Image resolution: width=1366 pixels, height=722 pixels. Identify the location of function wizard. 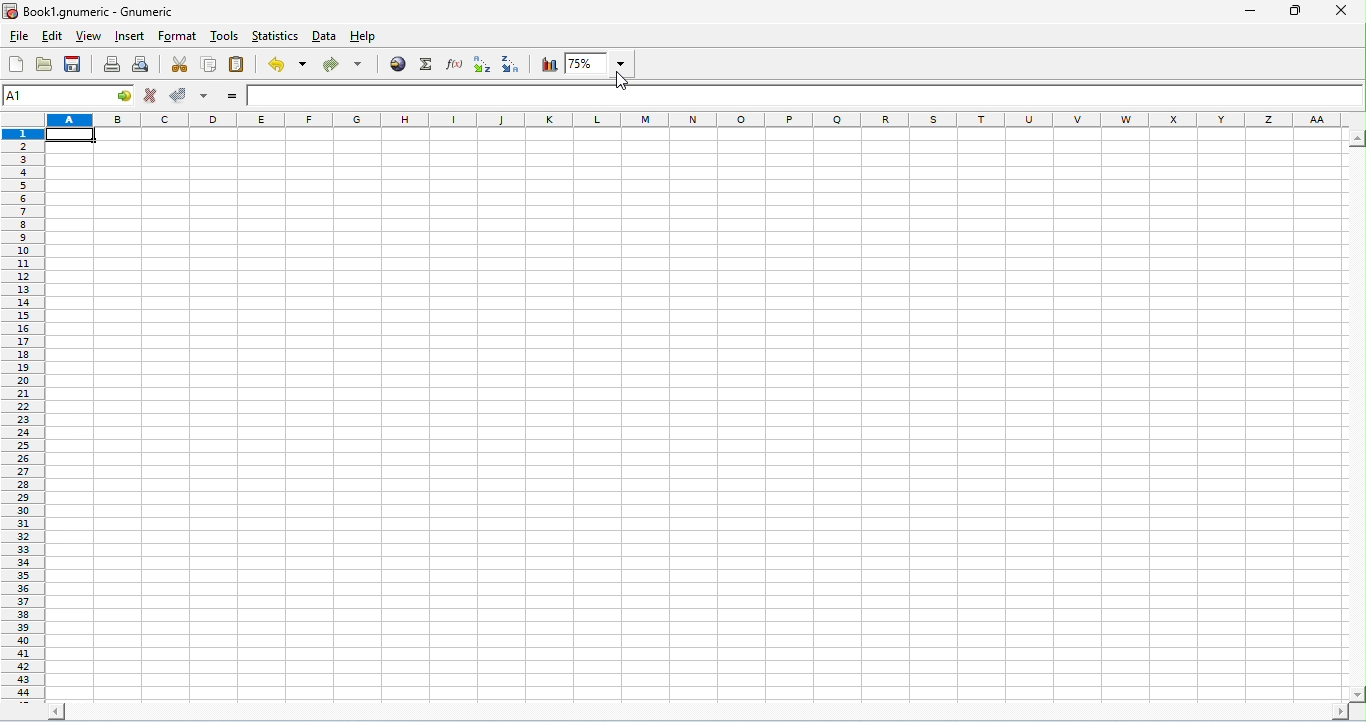
(456, 64).